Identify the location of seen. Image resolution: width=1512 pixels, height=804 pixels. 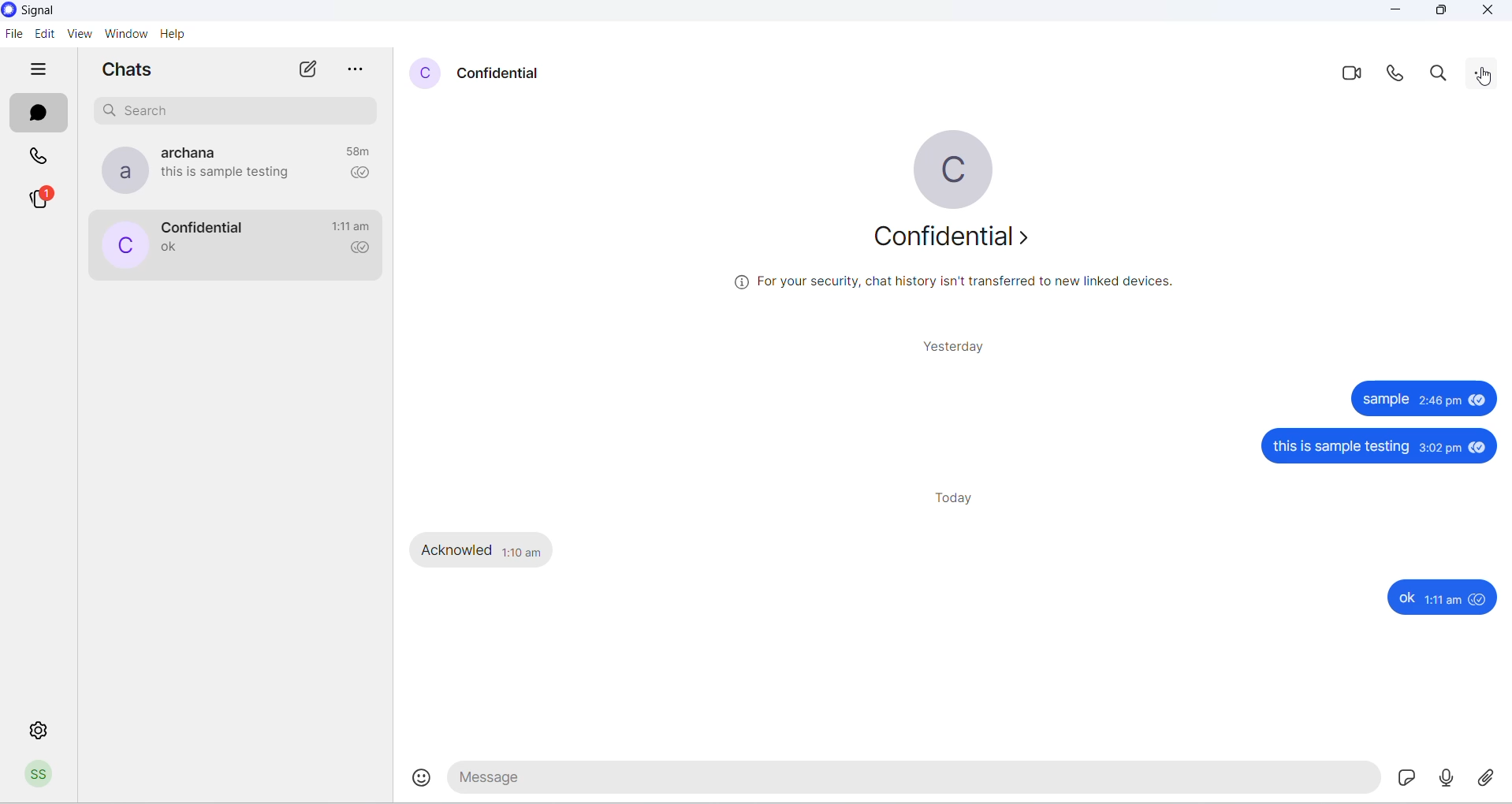
(1477, 400).